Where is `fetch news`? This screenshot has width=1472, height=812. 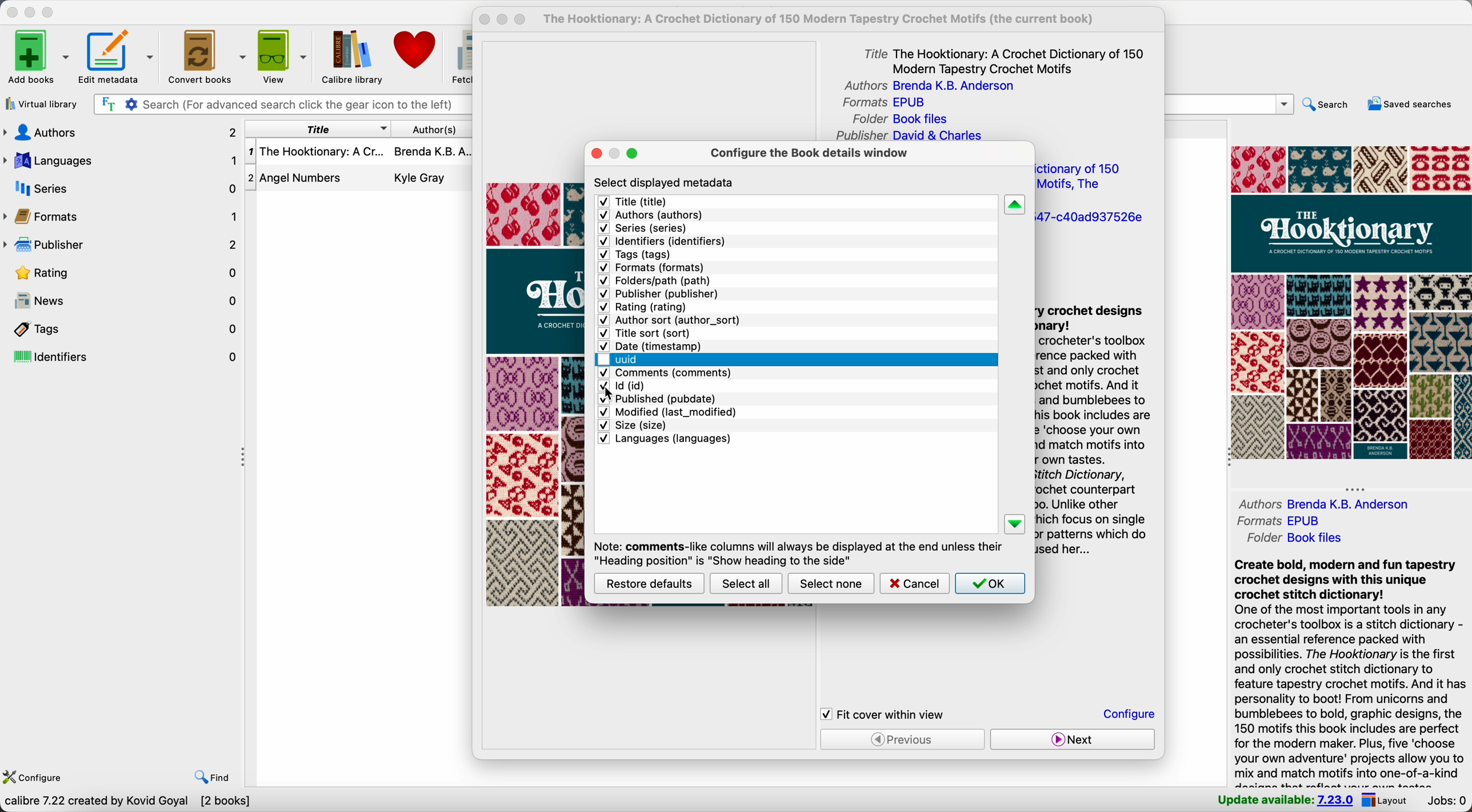
fetch news is located at coordinates (459, 55).